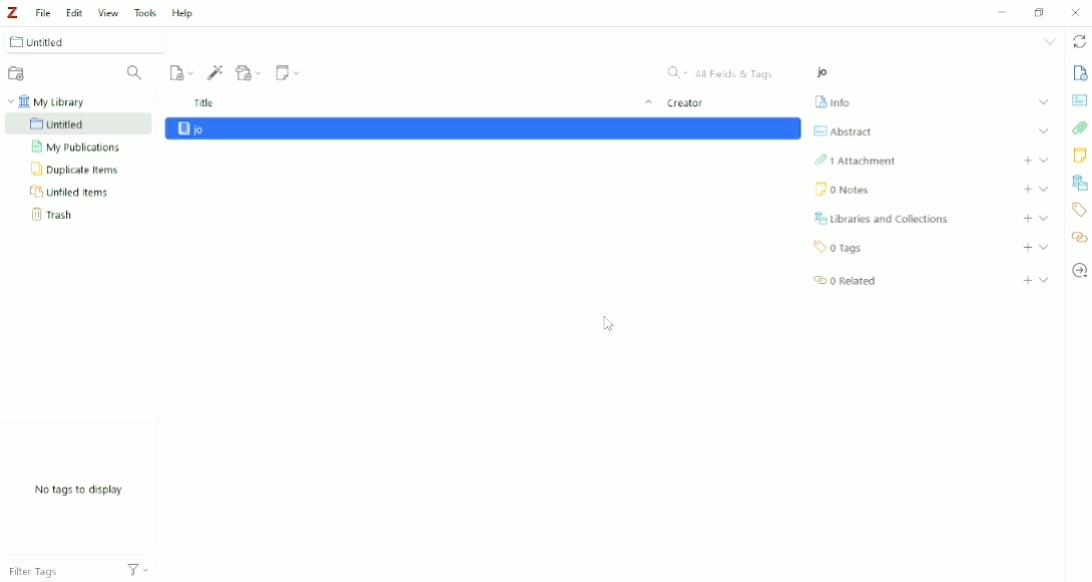  I want to click on List all tabs, so click(1048, 42).